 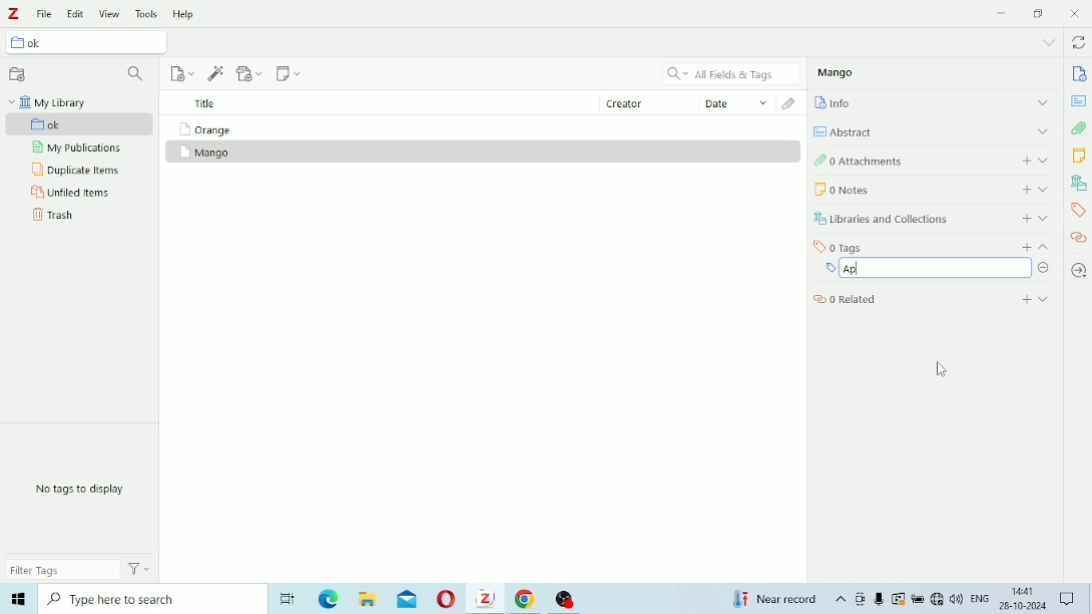 I want to click on File, so click(x=45, y=14).